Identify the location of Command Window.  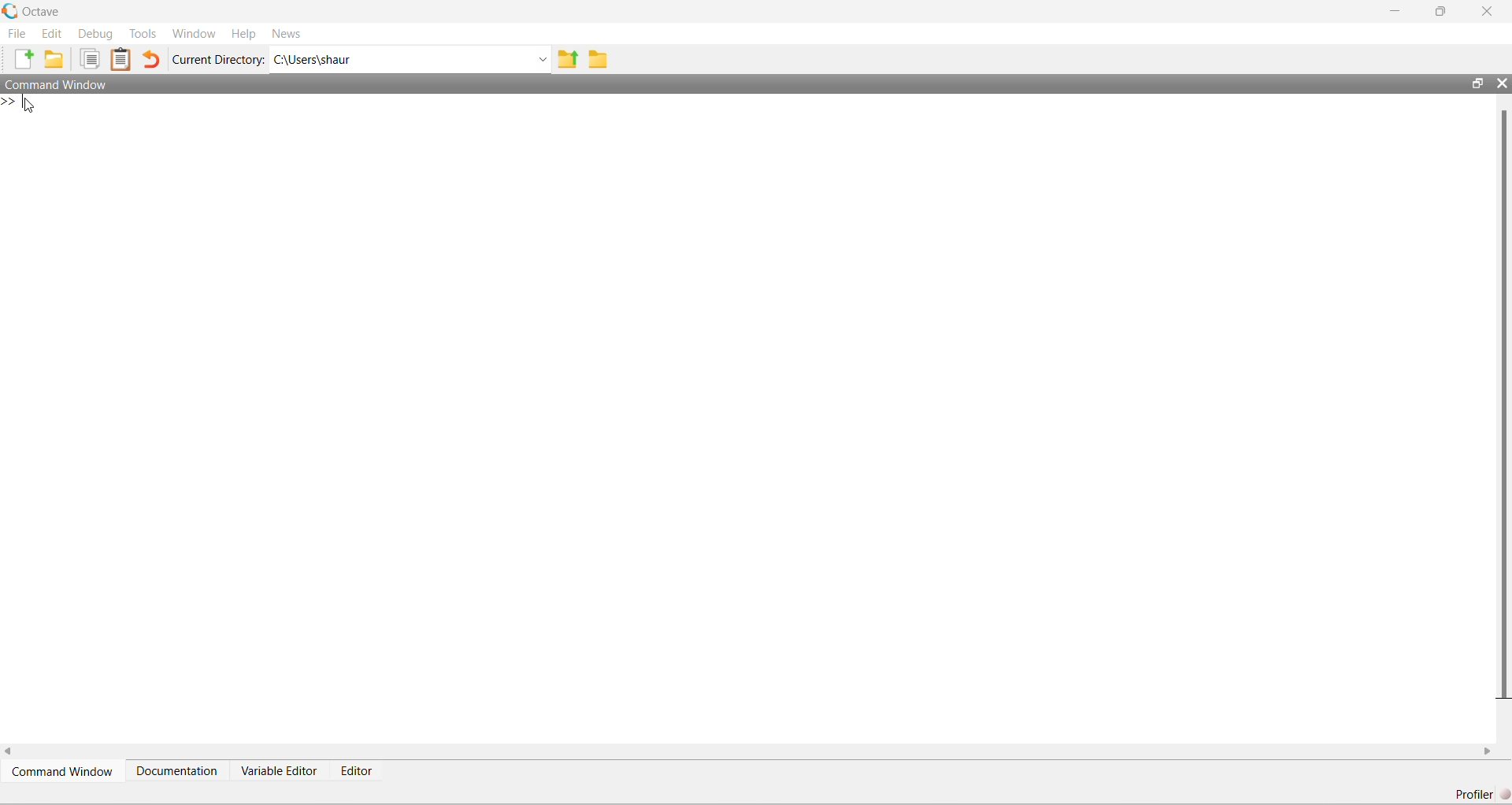
(64, 770).